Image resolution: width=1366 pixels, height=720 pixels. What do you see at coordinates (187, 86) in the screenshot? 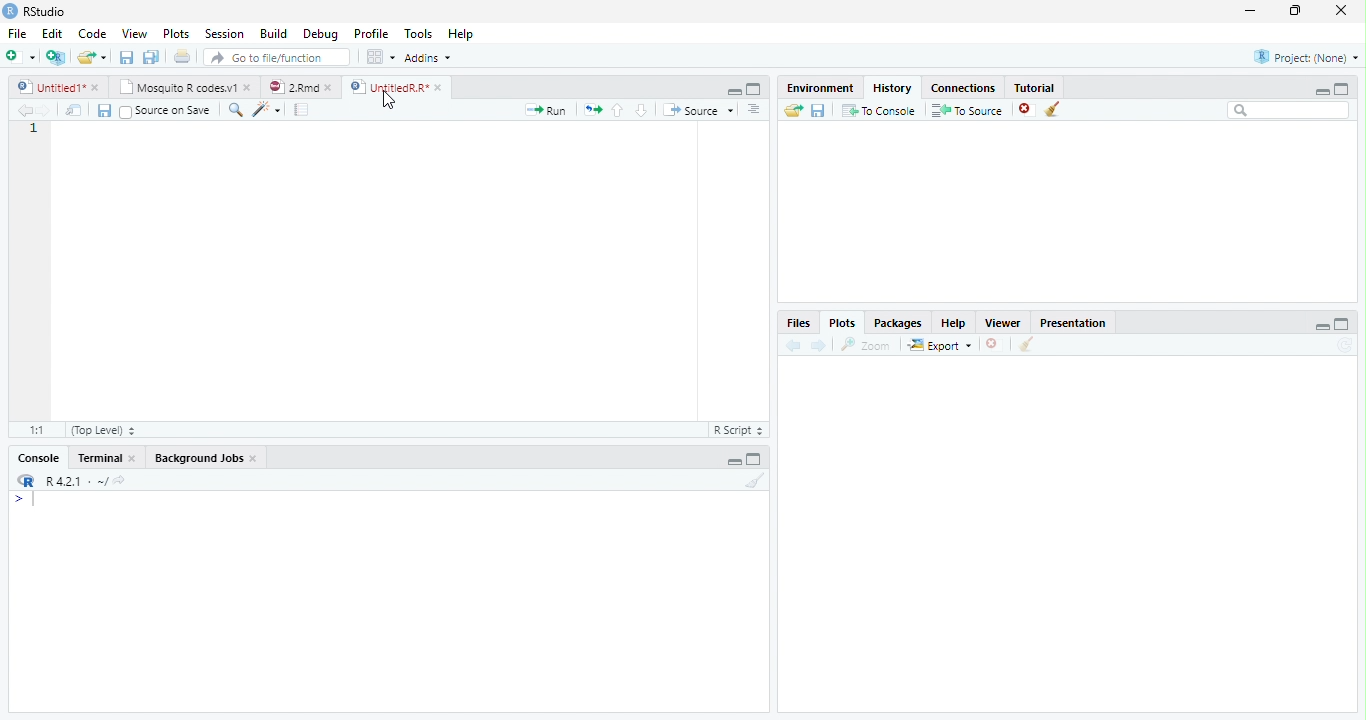
I see `Mosquito R codes` at bounding box center [187, 86].